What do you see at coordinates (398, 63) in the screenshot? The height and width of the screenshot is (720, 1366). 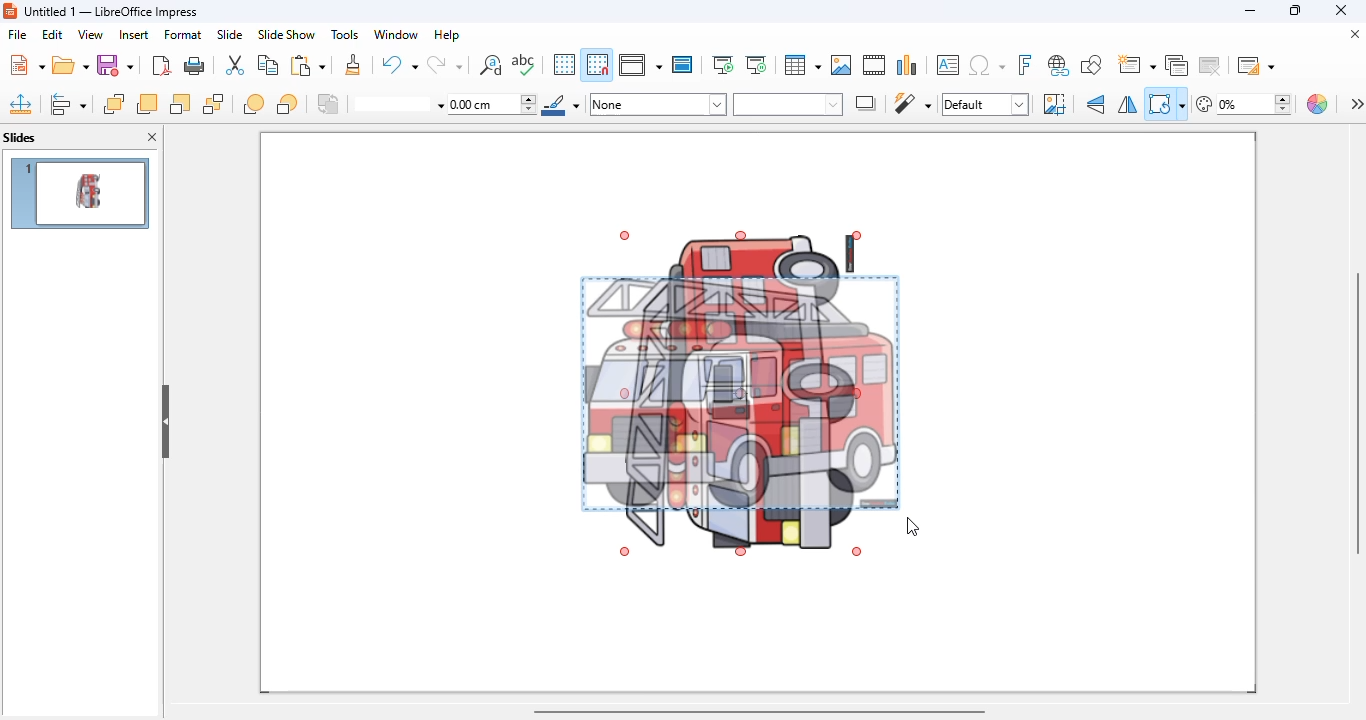 I see `undo` at bounding box center [398, 63].